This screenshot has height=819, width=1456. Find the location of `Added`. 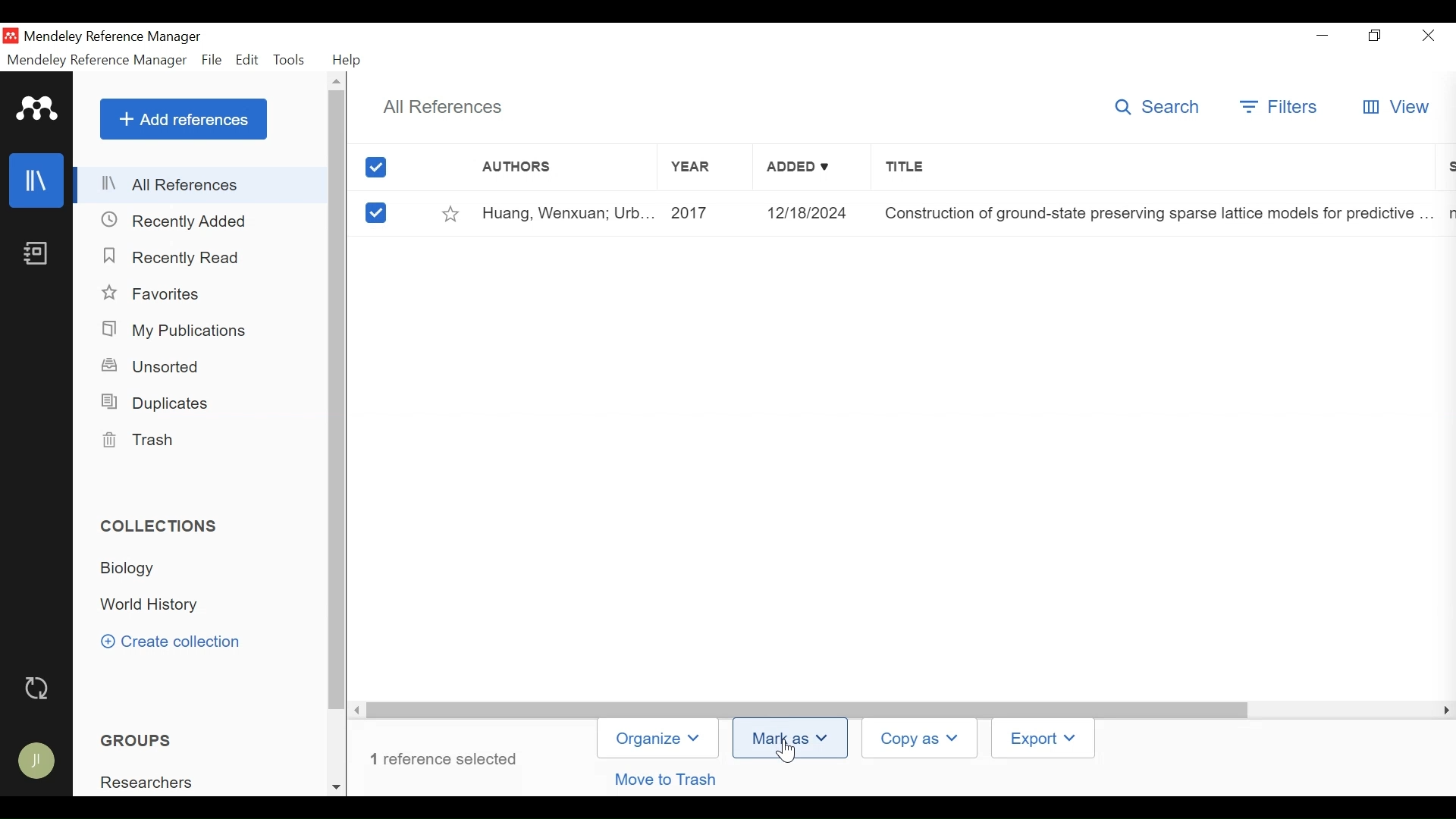

Added is located at coordinates (814, 170).